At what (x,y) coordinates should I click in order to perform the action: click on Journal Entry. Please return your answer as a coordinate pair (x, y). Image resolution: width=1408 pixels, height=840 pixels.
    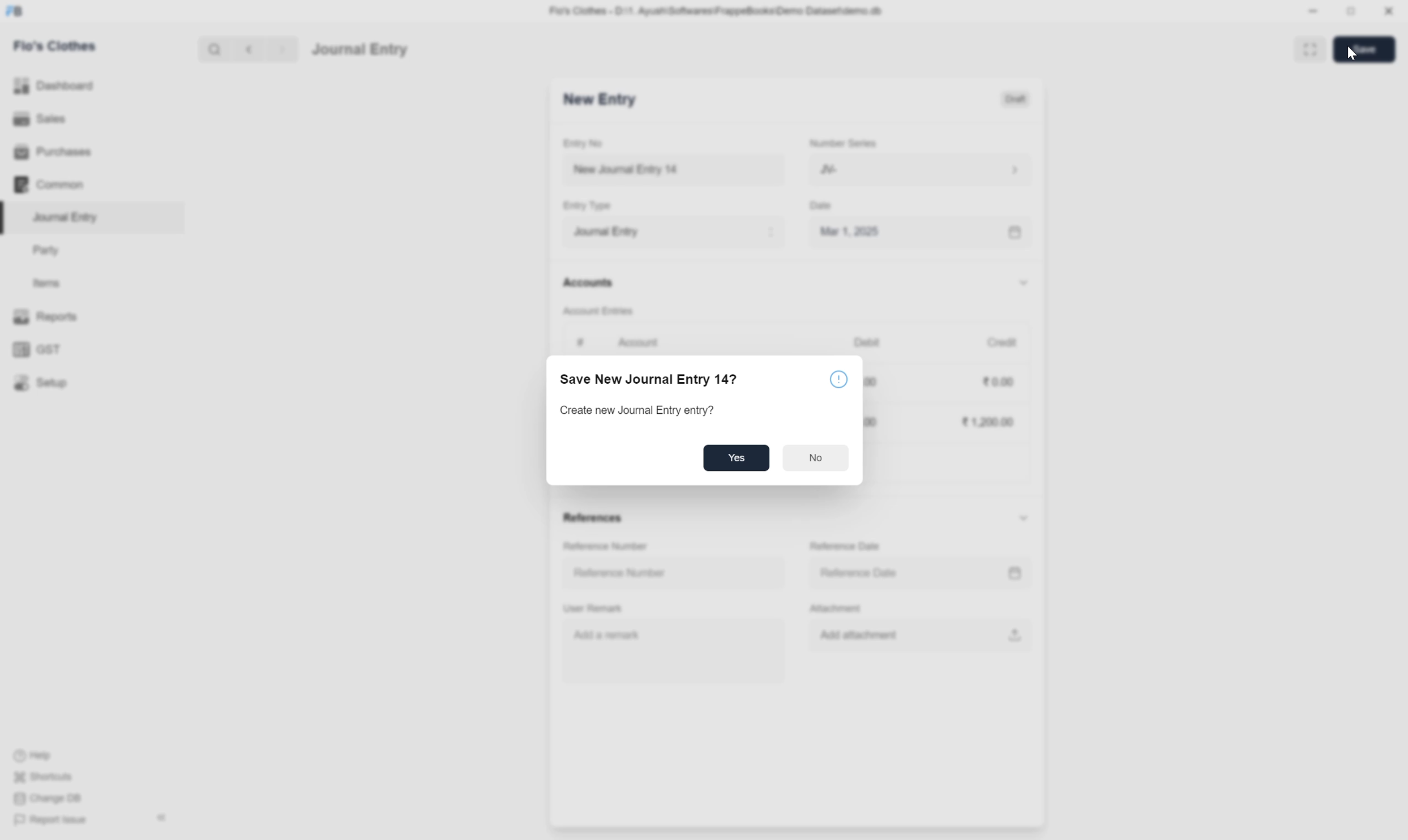
    Looking at the image, I should click on (674, 231).